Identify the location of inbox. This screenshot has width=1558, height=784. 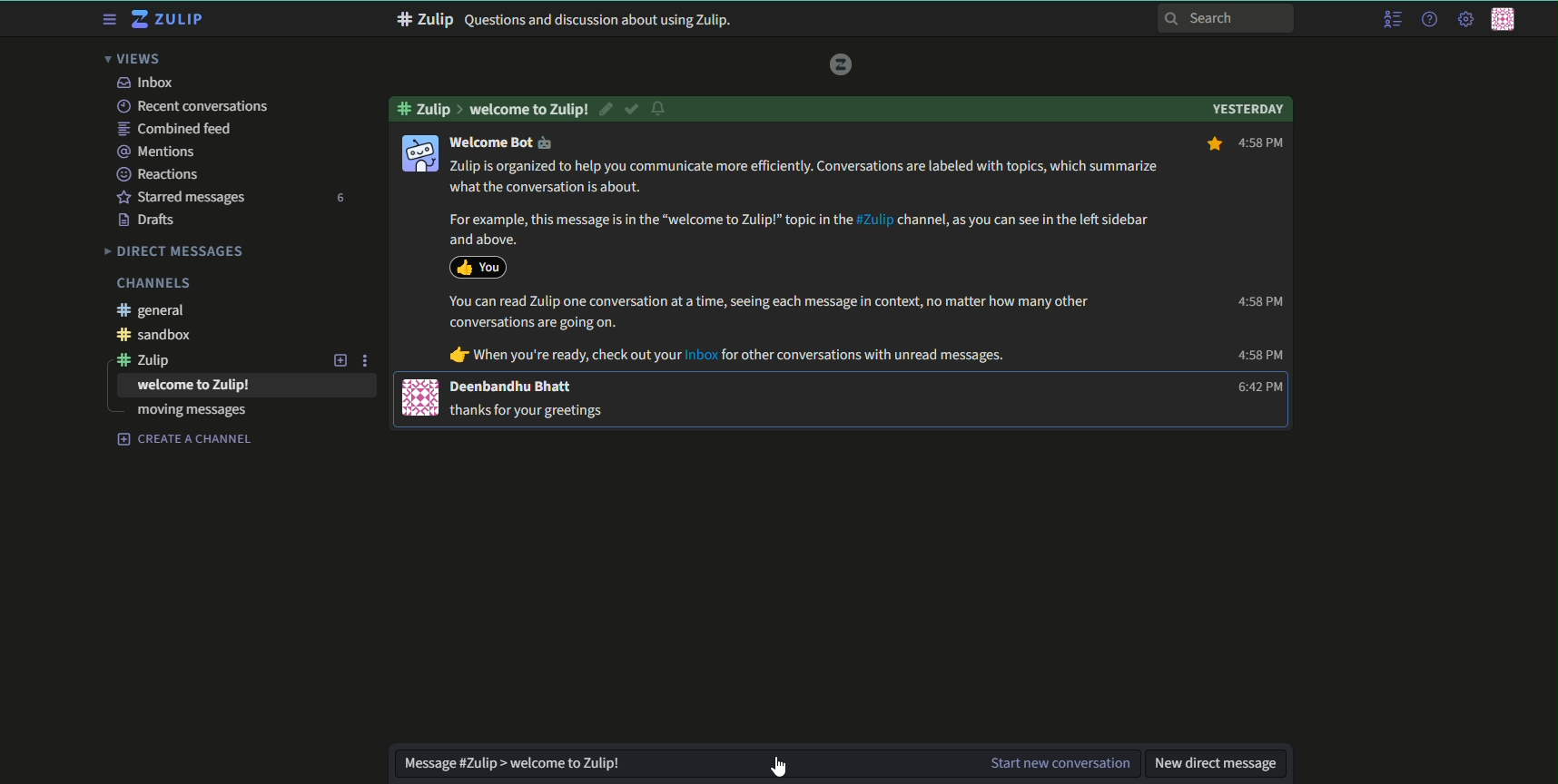
(144, 83).